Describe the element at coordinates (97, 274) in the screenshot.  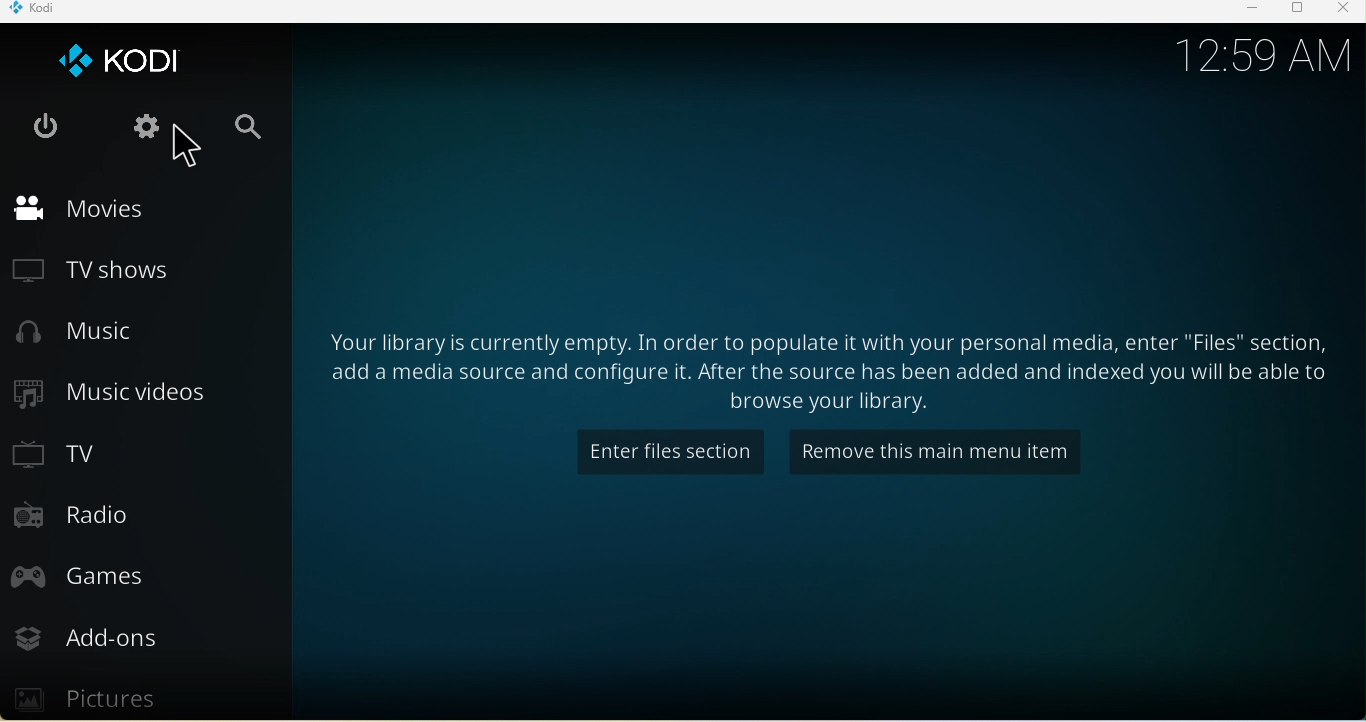
I see `TV Shows` at that location.